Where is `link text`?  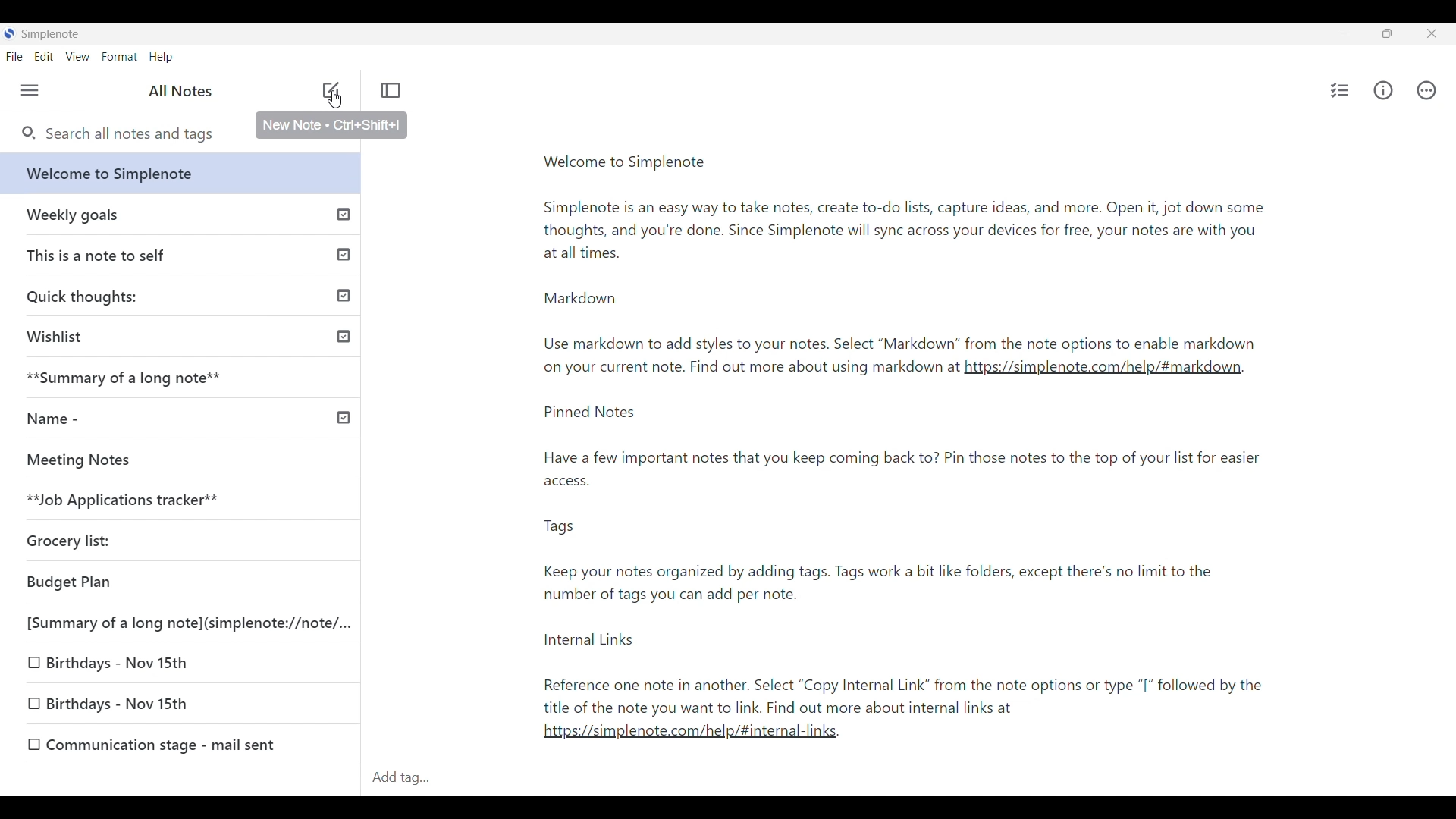 link text is located at coordinates (691, 733).